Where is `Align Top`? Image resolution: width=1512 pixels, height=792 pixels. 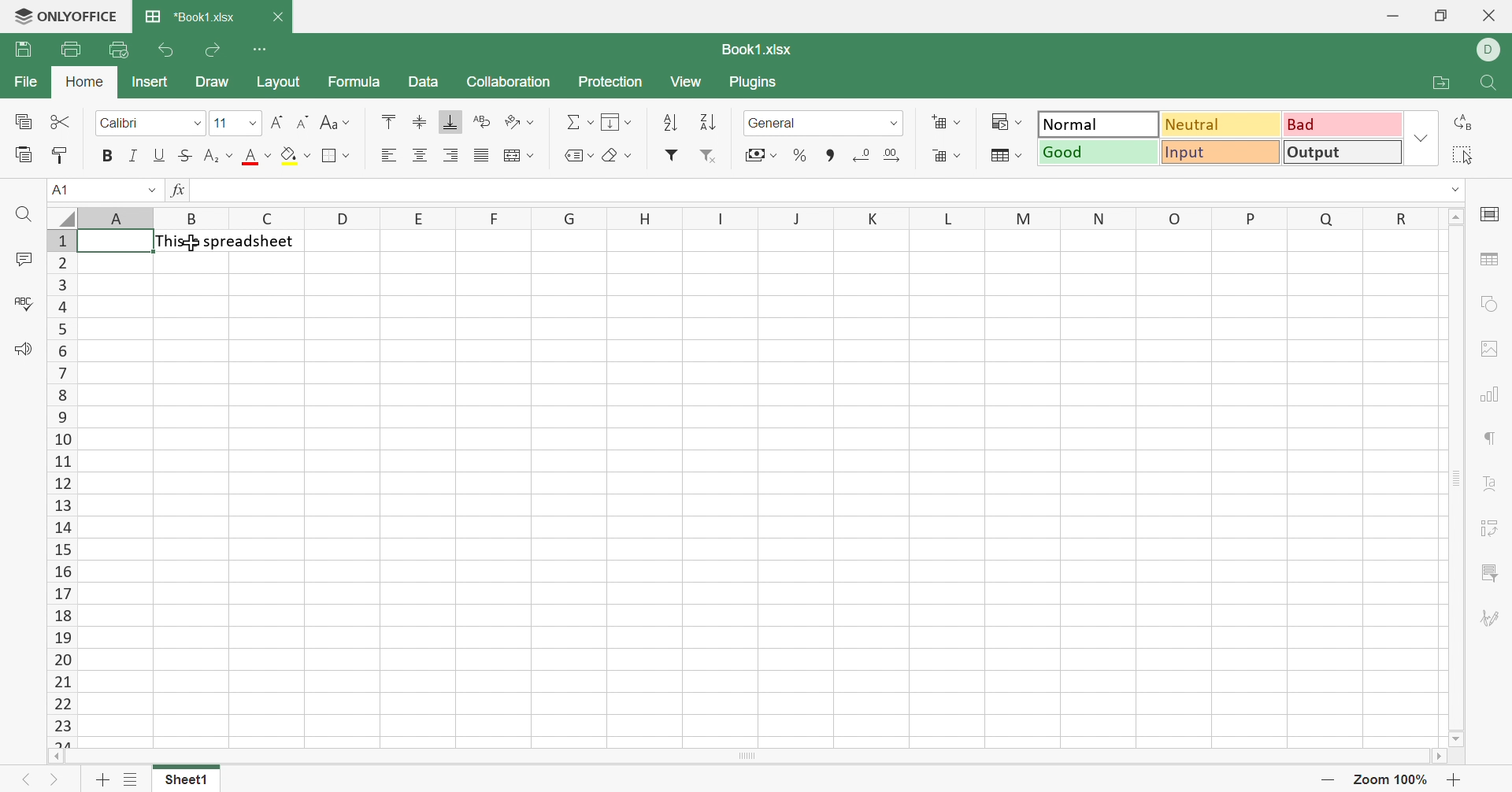 Align Top is located at coordinates (391, 120).